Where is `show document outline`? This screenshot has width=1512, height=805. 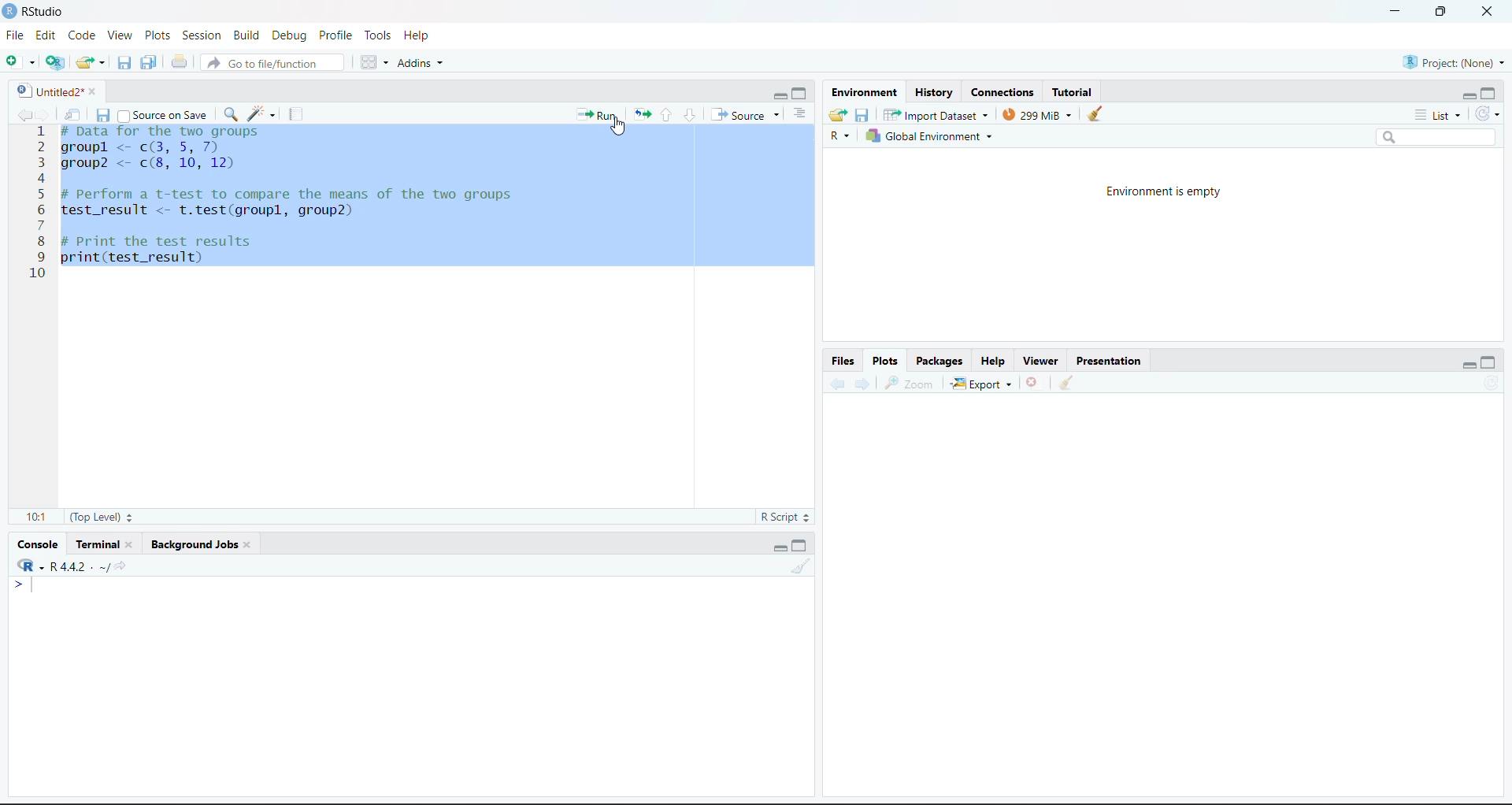
show document outline is located at coordinates (802, 113).